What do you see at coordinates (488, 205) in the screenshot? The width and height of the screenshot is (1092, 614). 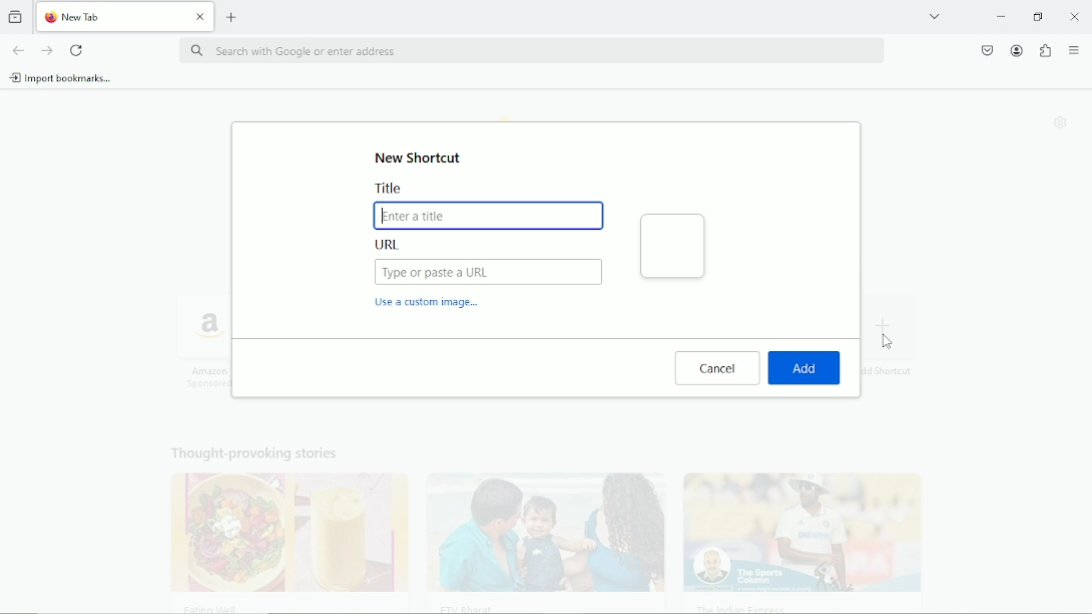 I see `Title` at bounding box center [488, 205].